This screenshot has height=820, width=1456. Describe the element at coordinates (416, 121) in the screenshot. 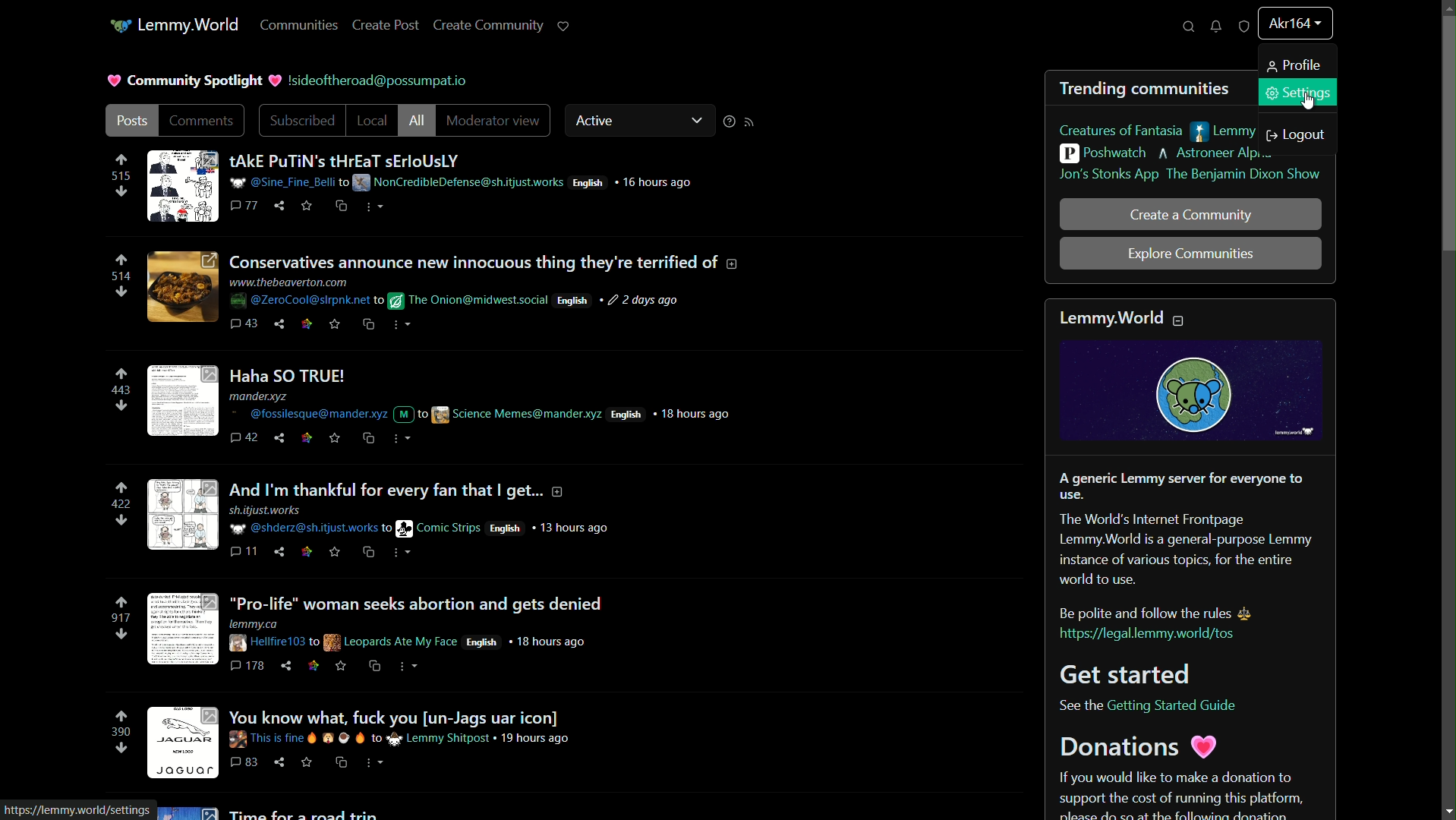

I see `all` at that location.